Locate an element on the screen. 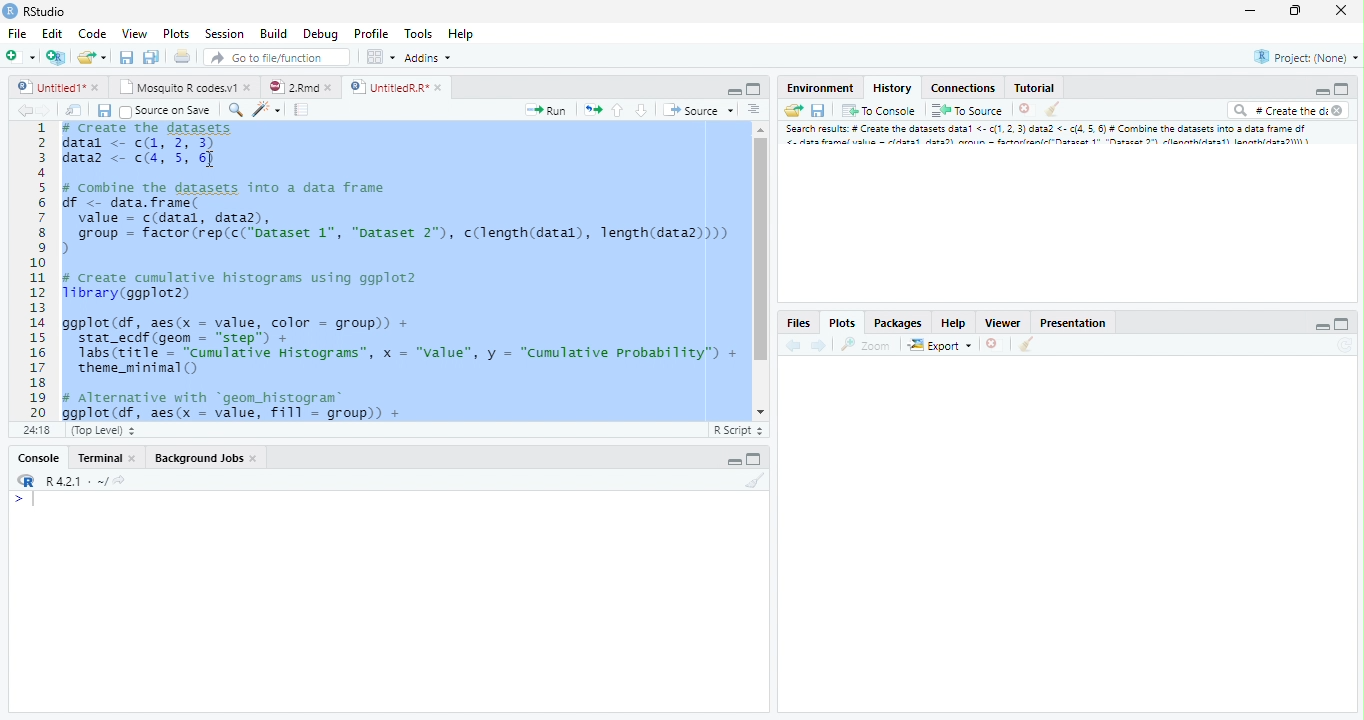 This screenshot has width=1364, height=720. Code beautify is located at coordinates (269, 110).